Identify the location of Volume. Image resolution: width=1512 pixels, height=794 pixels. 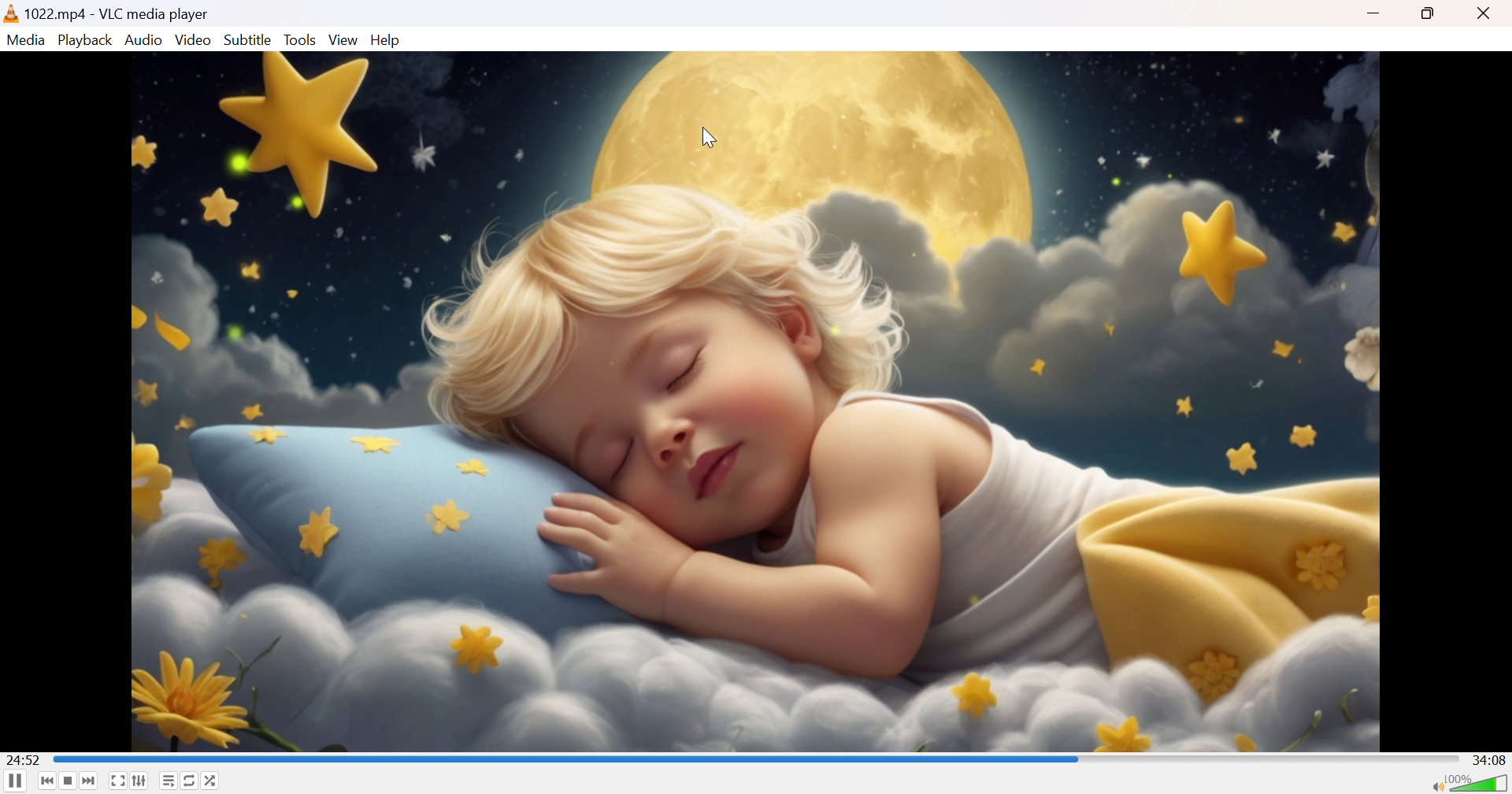
(1479, 781).